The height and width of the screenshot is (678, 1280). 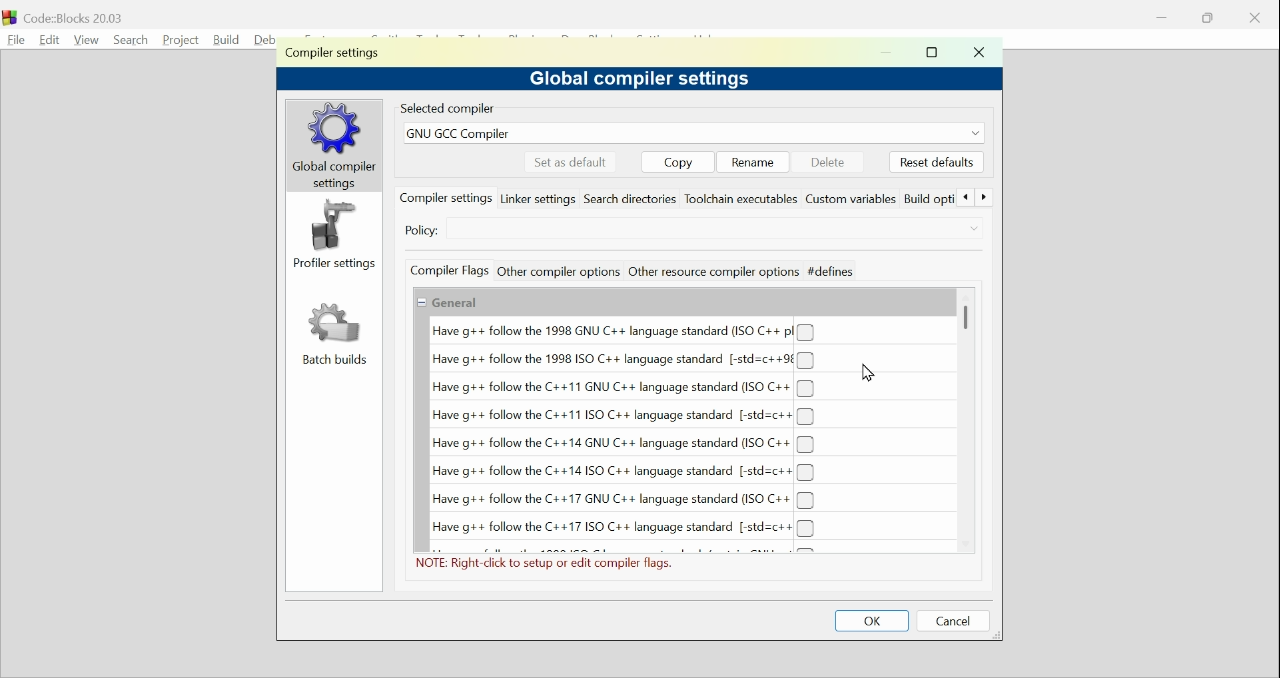 I want to click on Compiler setting, so click(x=338, y=54).